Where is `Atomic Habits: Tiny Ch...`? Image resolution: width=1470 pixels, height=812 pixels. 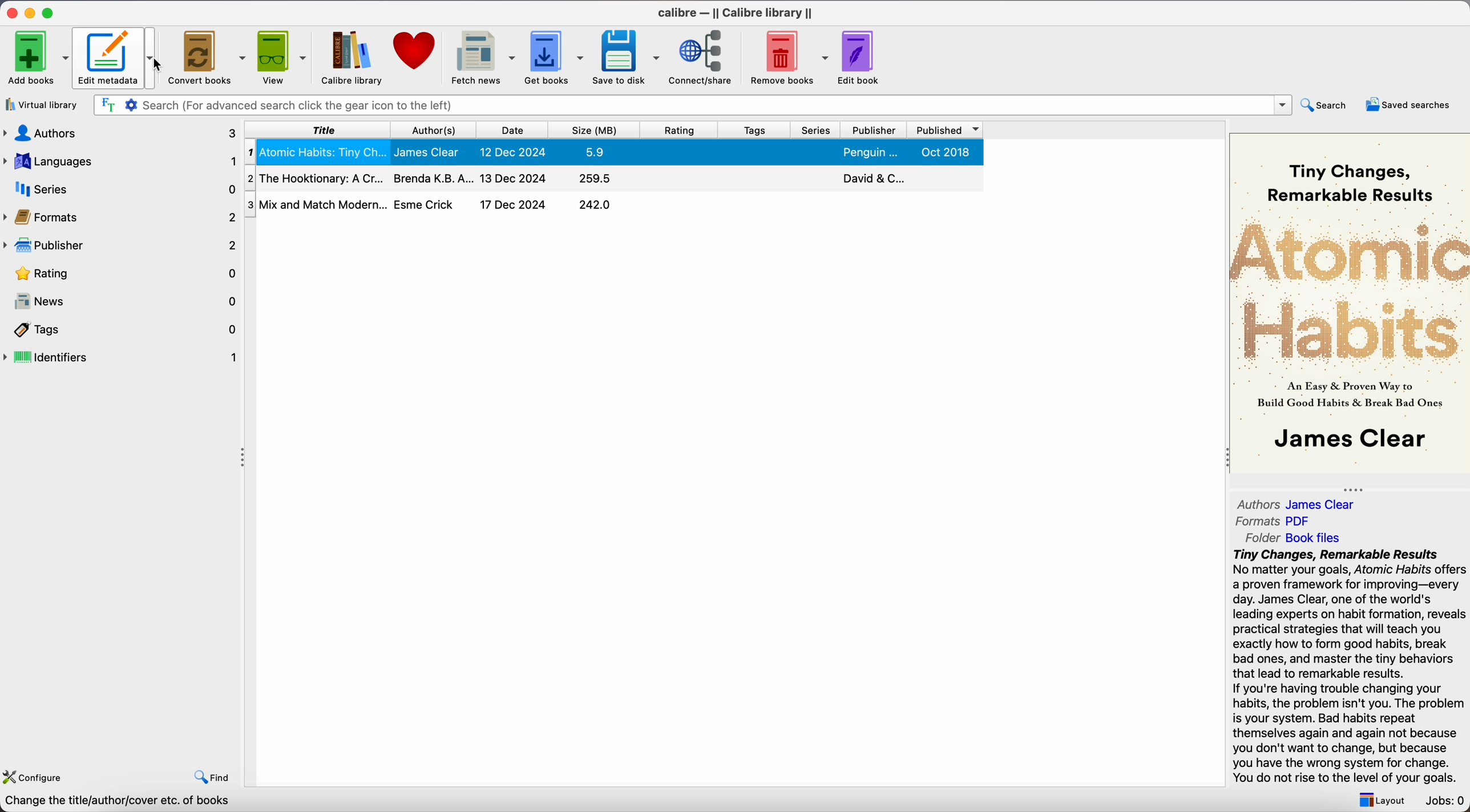
Atomic Habits: Tiny Ch... is located at coordinates (318, 152).